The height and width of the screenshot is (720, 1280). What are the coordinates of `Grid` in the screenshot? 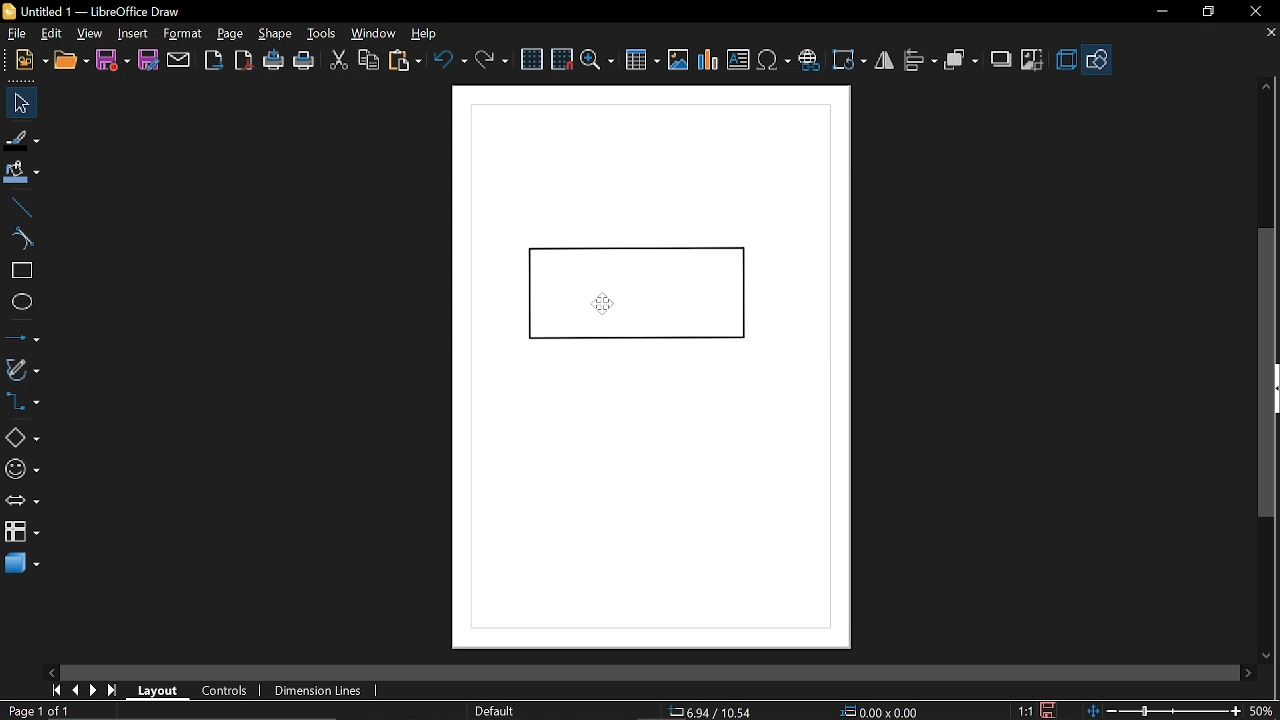 It's located at (533, 59).